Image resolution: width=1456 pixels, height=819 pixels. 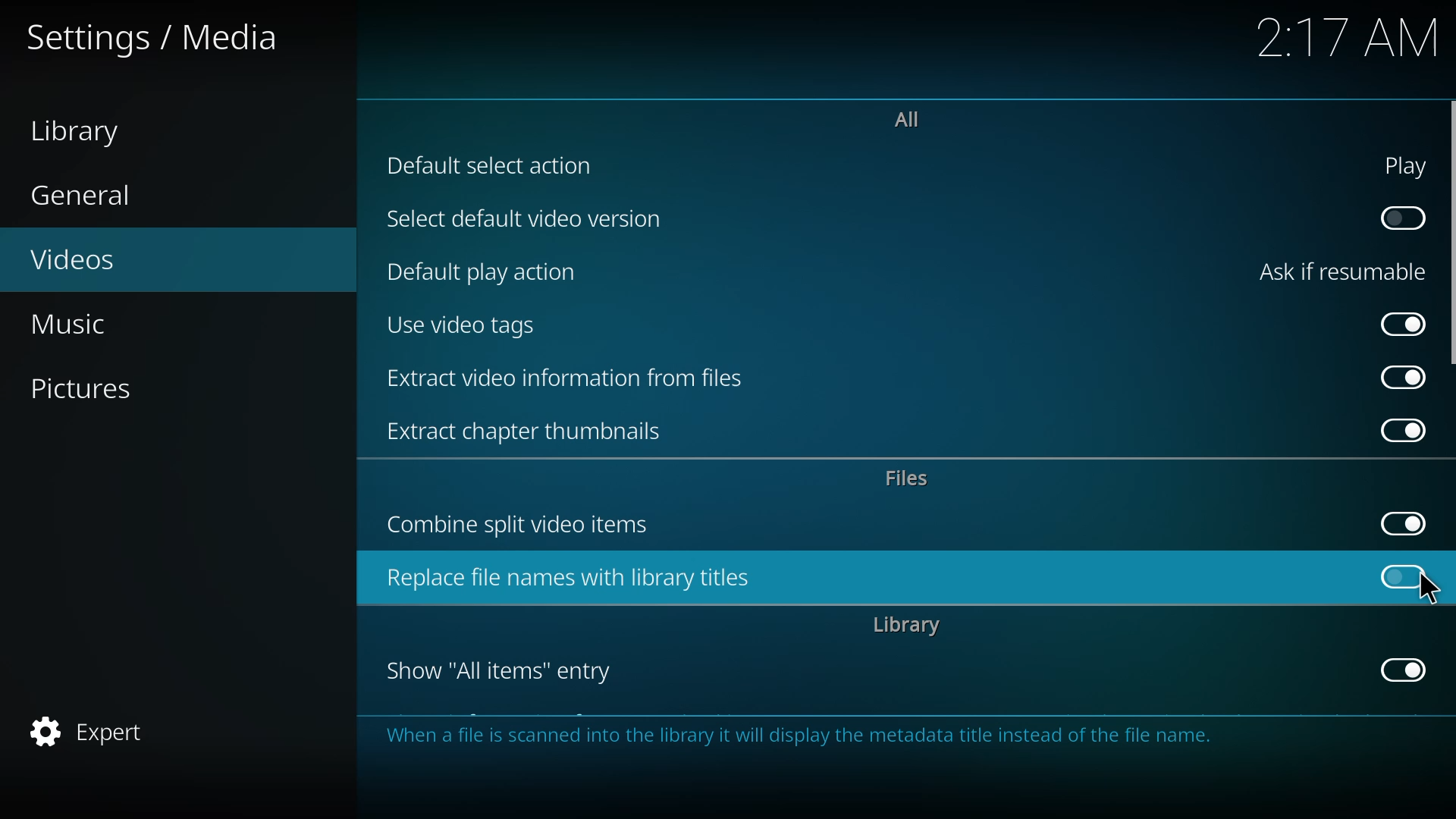 What do you see at coordinates (1400, 431) in the screenshot?
I see `enabled` at bounding box center [1400, 431].